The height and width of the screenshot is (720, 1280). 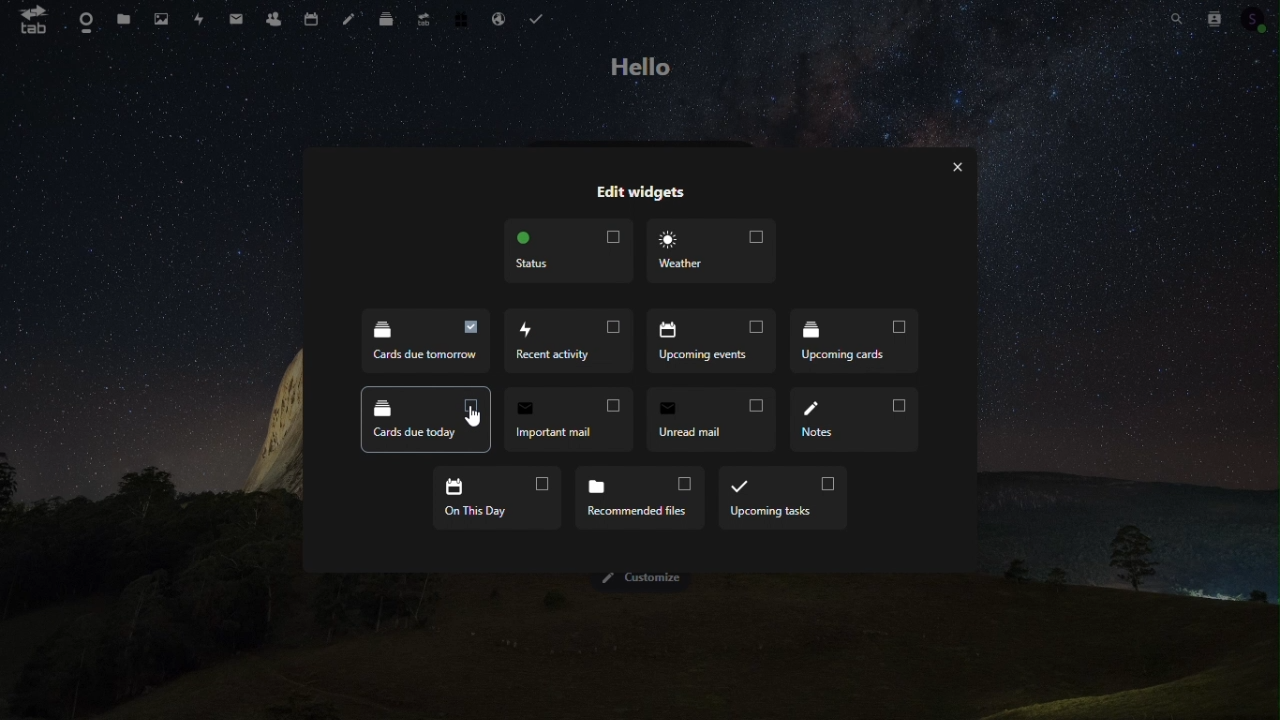 What do you see at coordinates (568, 251) in the screenshot?
I see `Status` at bounding box center [568, 251].